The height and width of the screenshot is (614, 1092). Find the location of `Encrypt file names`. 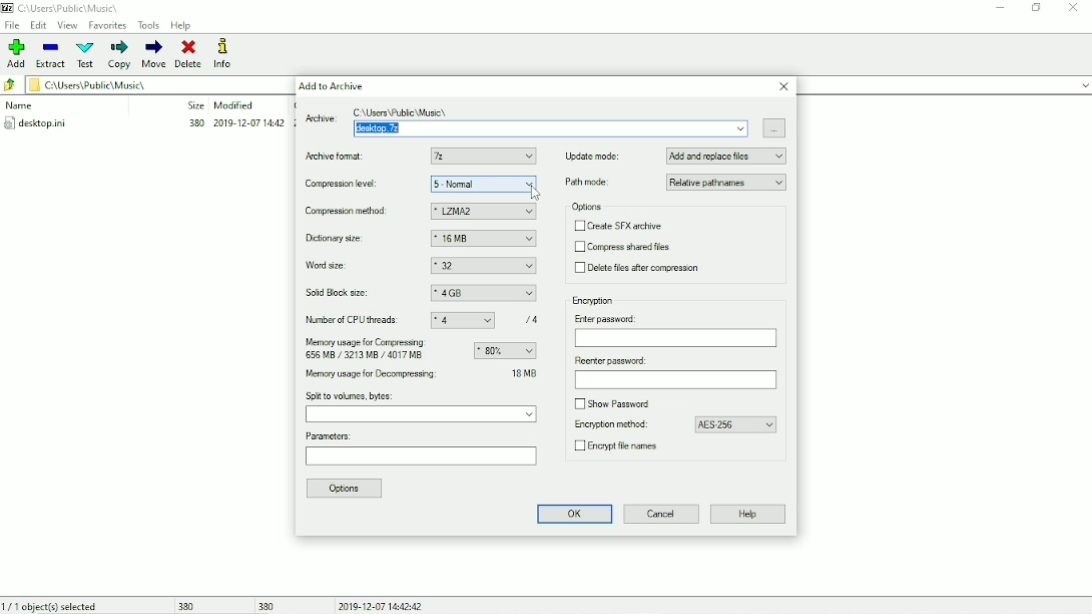

Encrypt file names is located at coordinates (621, 448).